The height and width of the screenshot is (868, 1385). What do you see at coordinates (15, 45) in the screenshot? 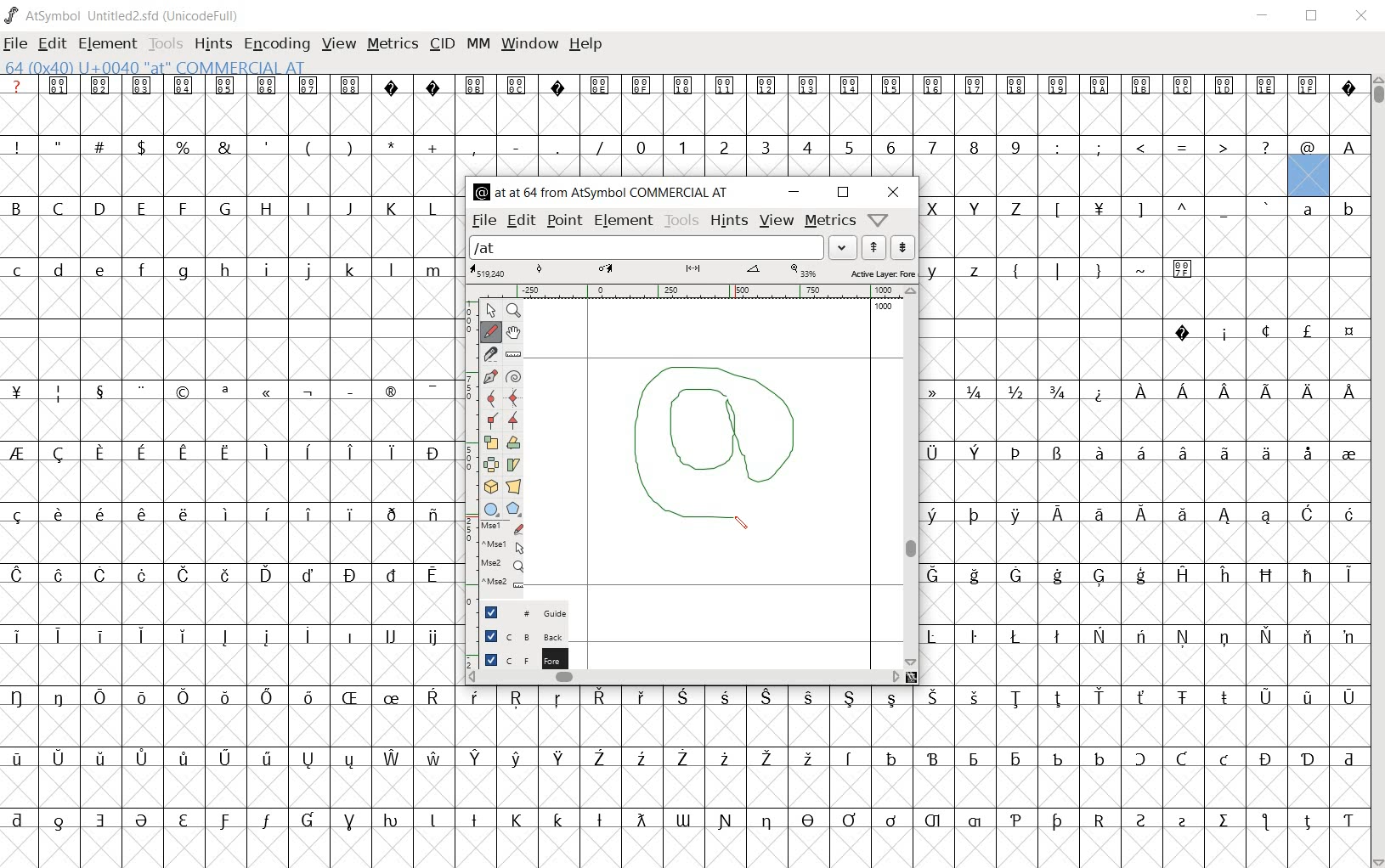
I see `FILE` at bounding box center [15, 45].